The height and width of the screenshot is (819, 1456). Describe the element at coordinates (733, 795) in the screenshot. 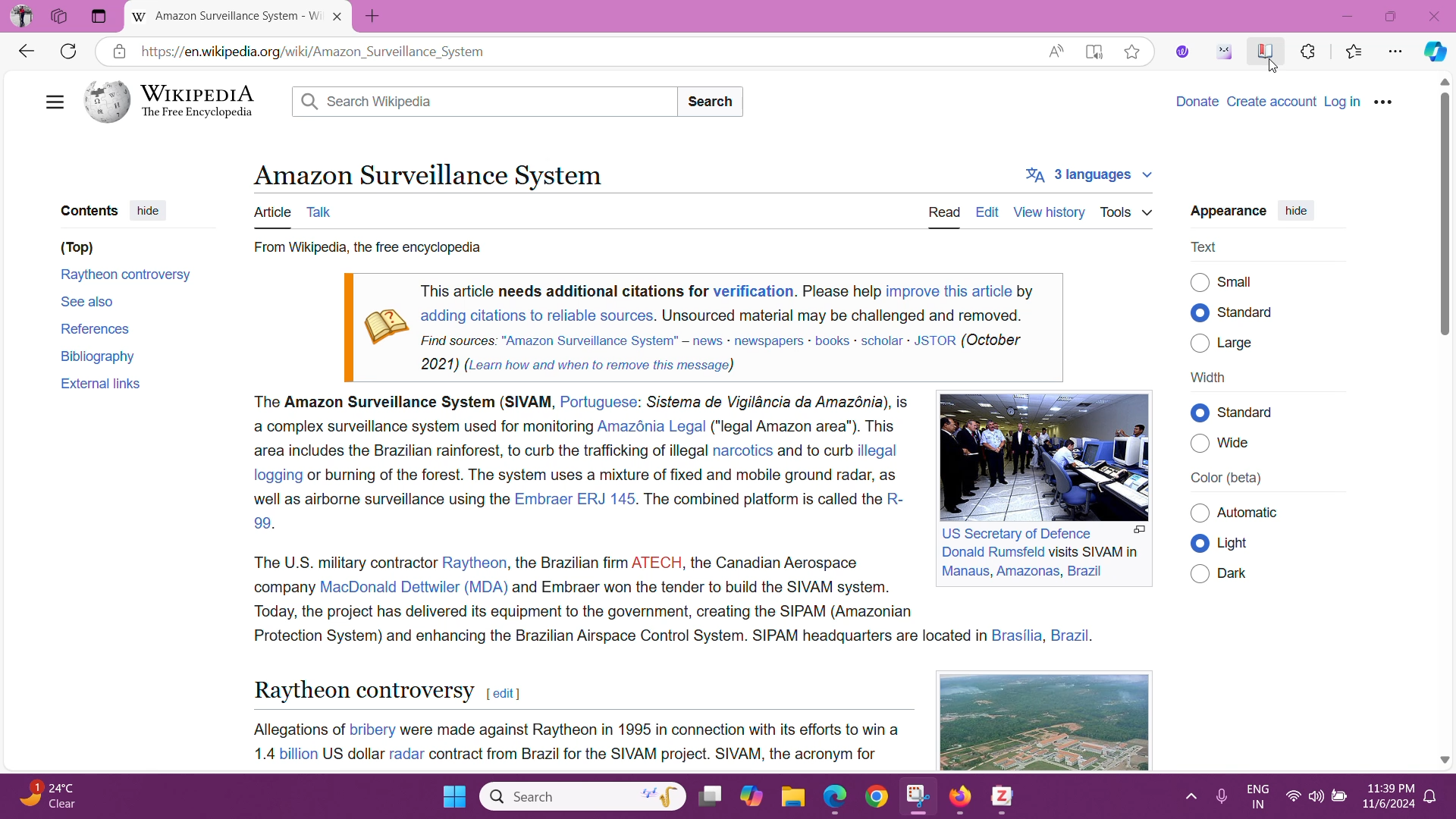

I see `System Taskbar apps` at that location.